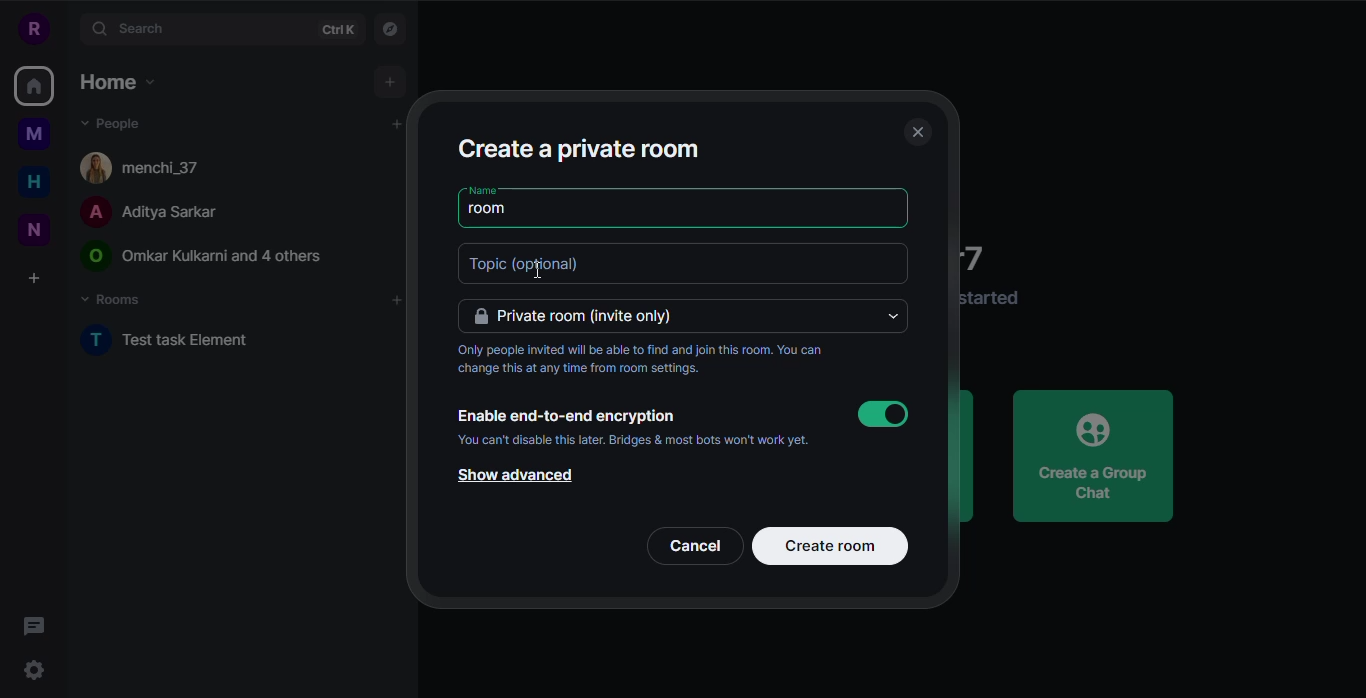 The image size is (1366, 698). What do you see at coordinates (584, 317) in the screenshot?
I see `private room` at bounding box center [584, 317].